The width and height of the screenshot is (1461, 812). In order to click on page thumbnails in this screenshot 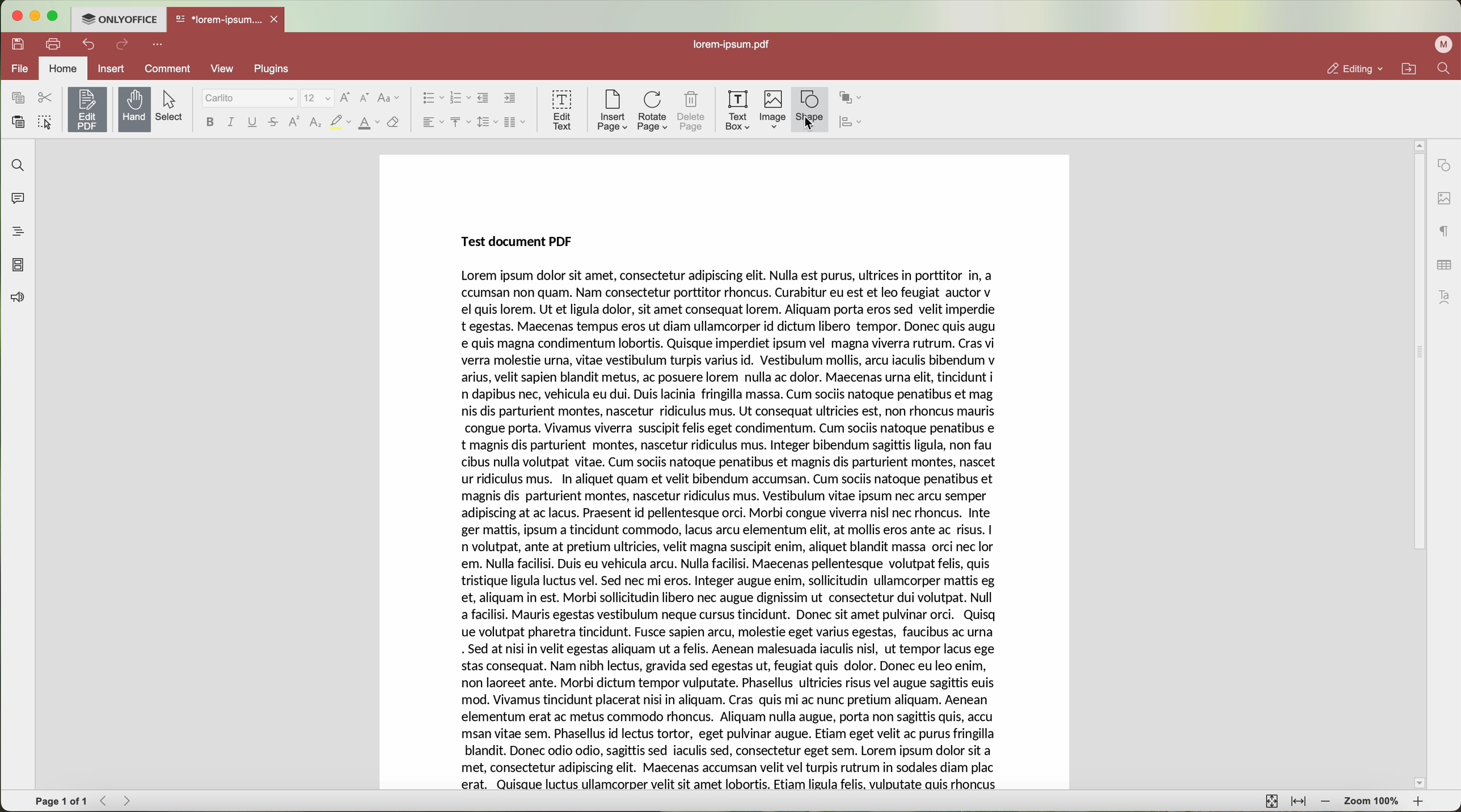, I will do `click(18, 266)`.